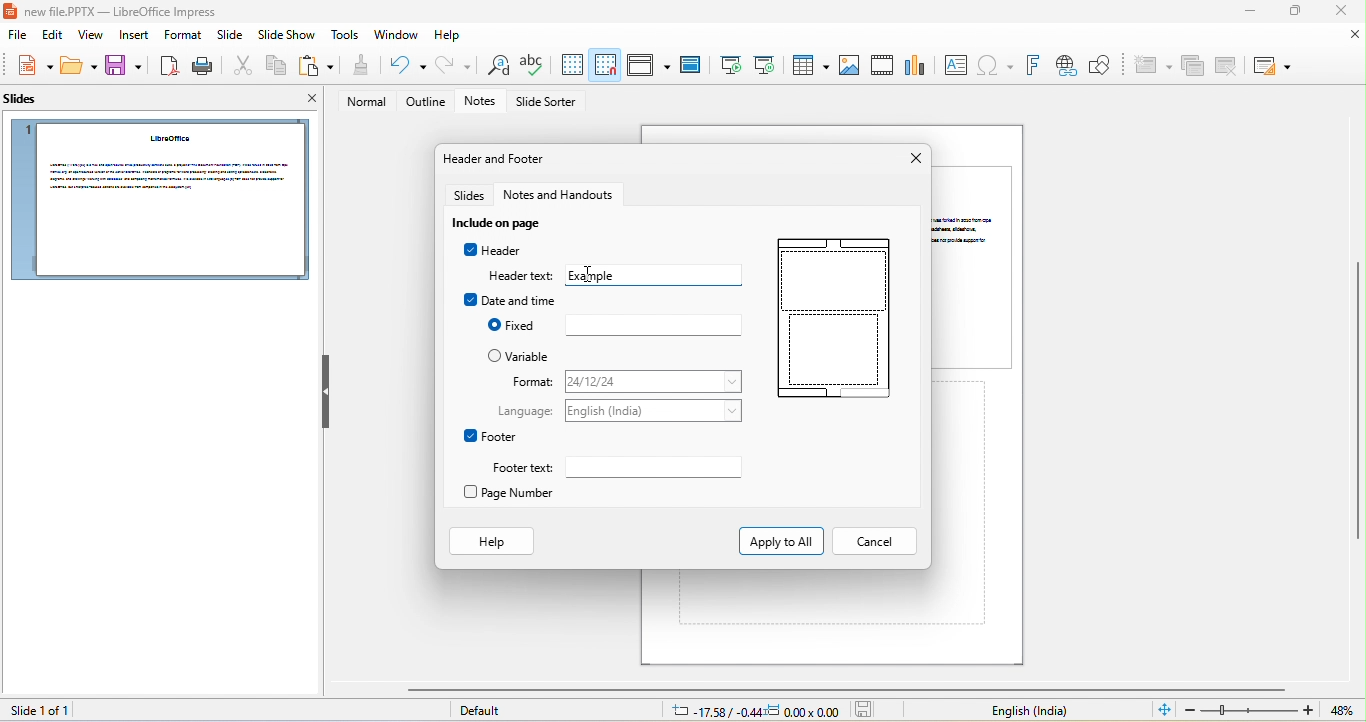 The height and width of the screenshot is (722, 1366). Describe the element at coordinates (1101, 66) in the screenshot. I see `how draw function` at that location.